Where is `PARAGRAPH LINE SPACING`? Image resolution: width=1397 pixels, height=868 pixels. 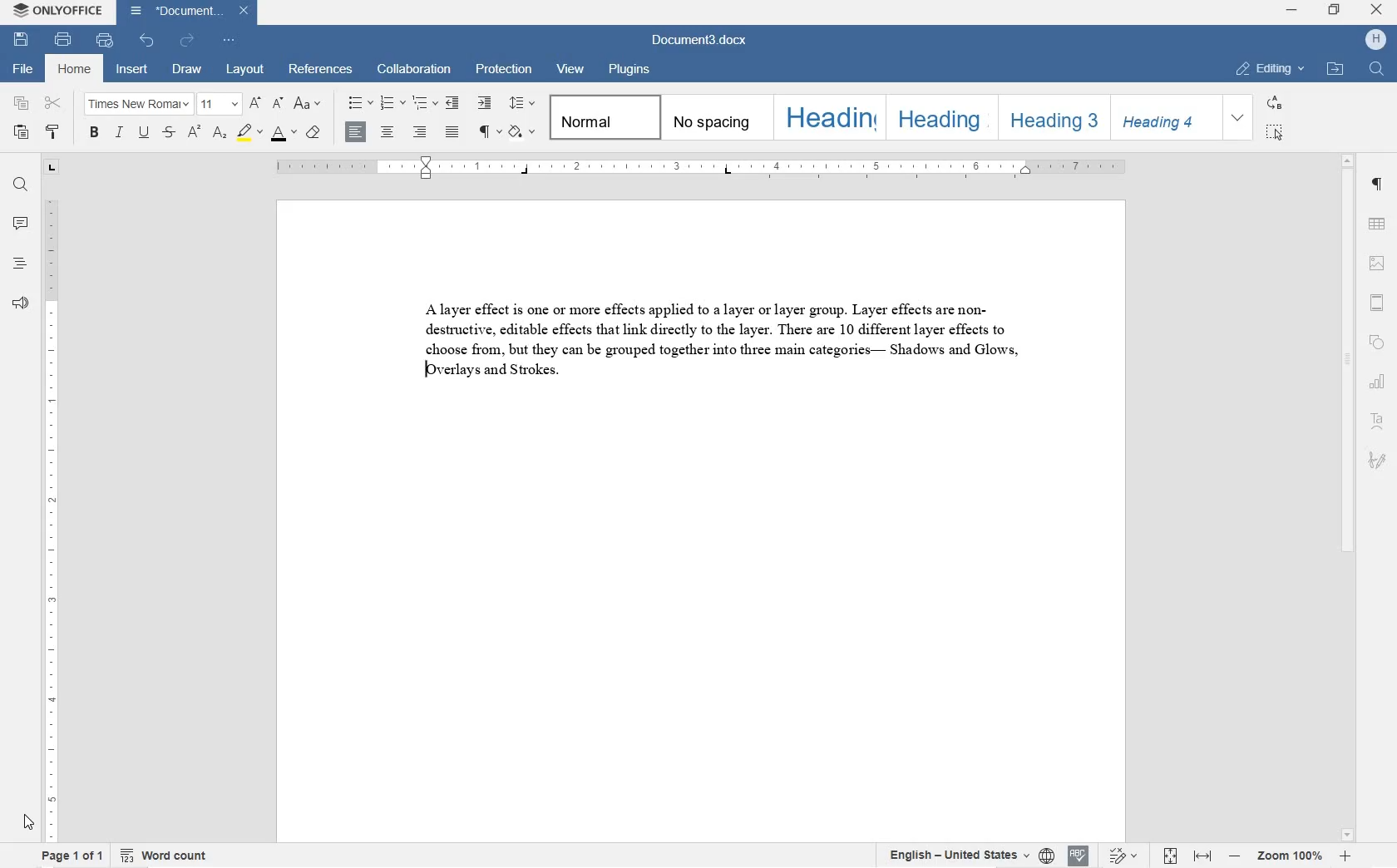 PARAGRAPH LINE SPACING is located at coordinates (522, 104).